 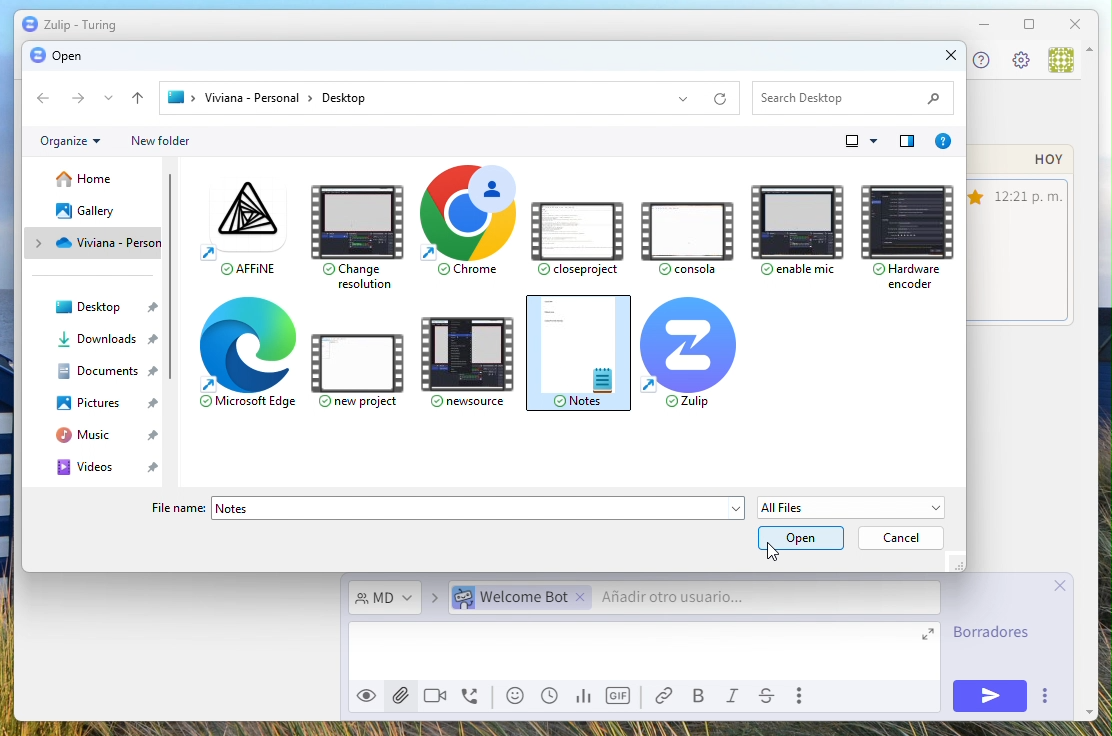 What do you see at coordinates (435, 694) in the screenshot?
I see `Videocall` at bounding box center [435, 694].